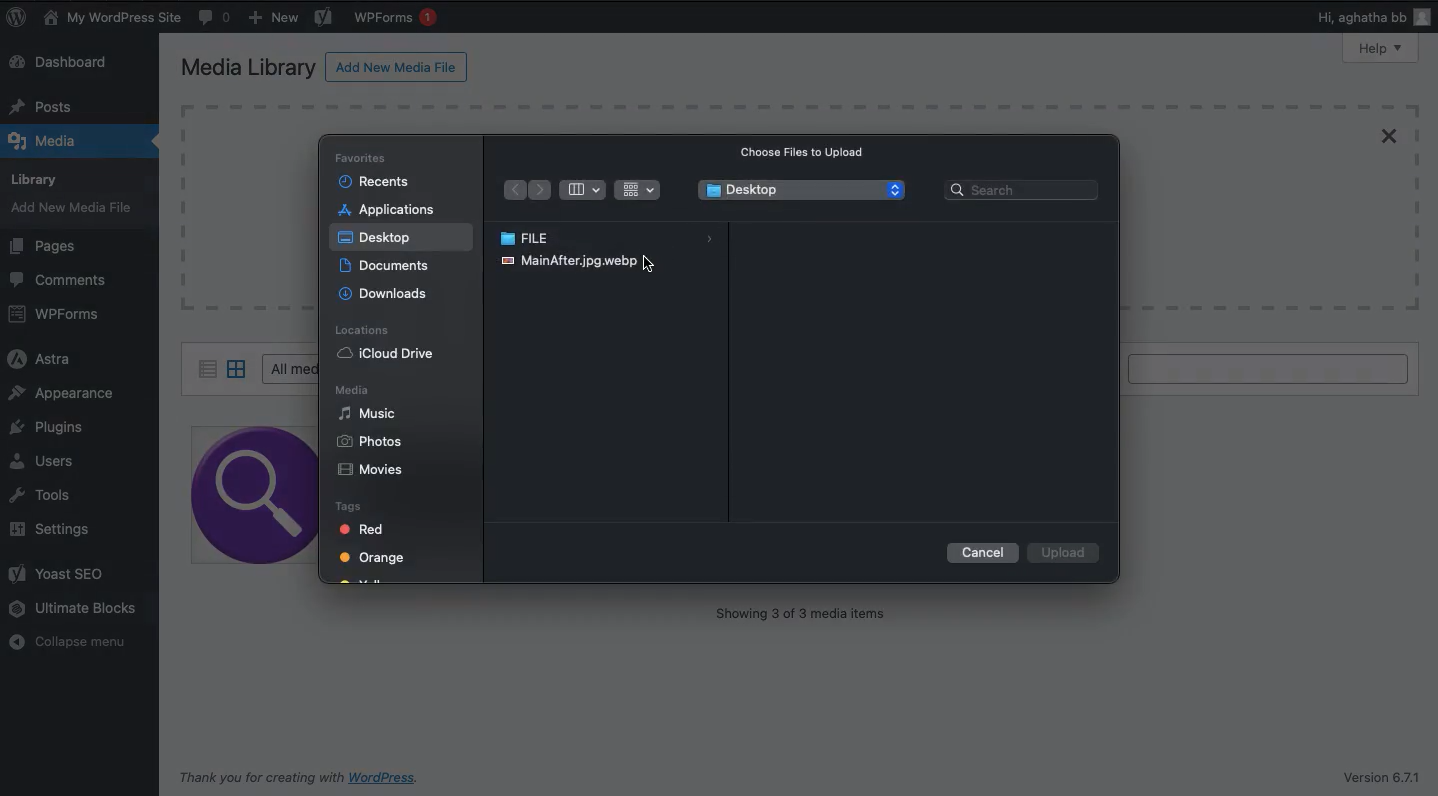  What do you see at coordinates (385, 294) in the screenshot?
I see `Downloads` at bounding box center [385, 294].